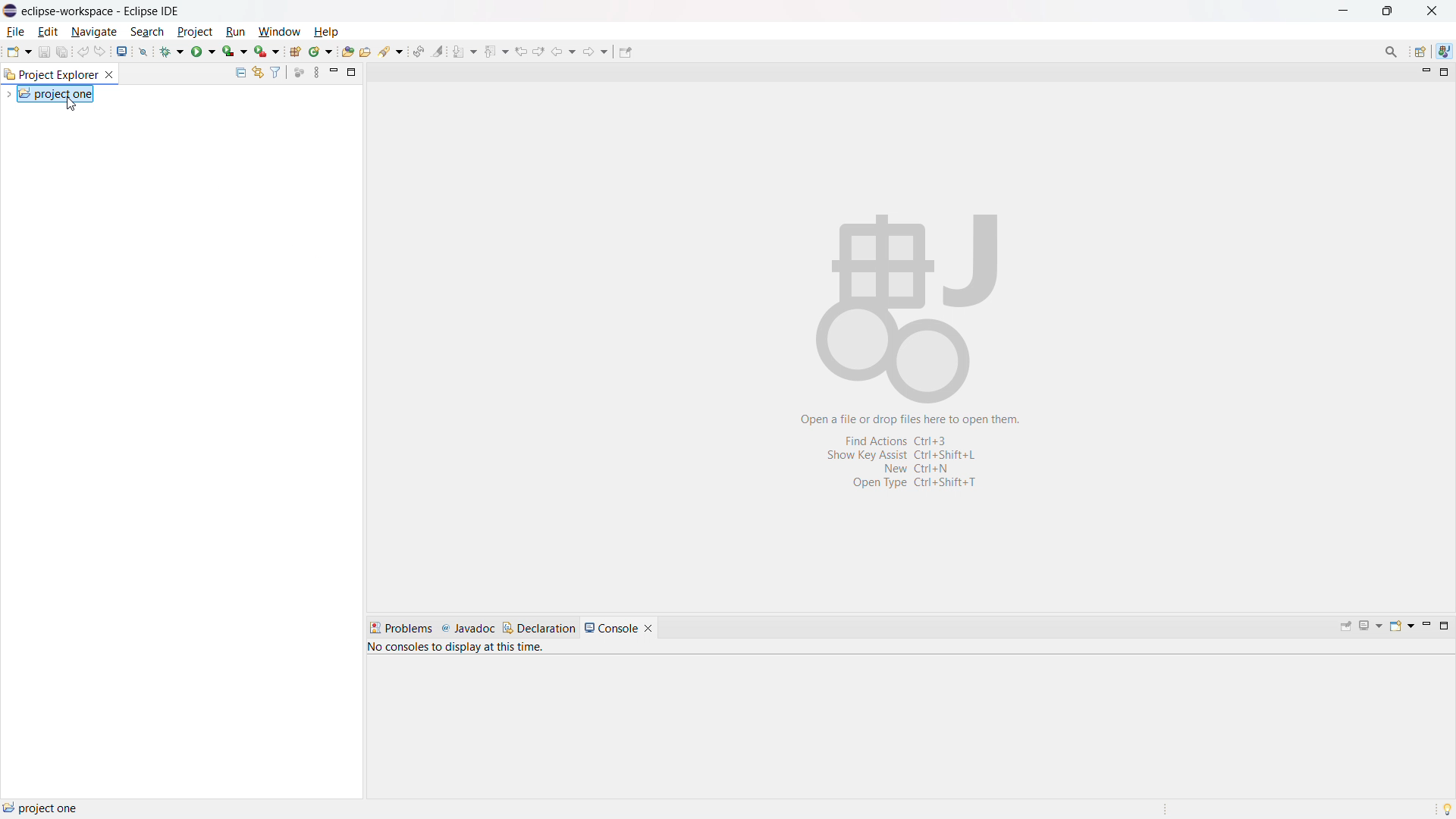 The height and width of the screenshot is (819, 1456). I want to click on open type, so click(348, 51).